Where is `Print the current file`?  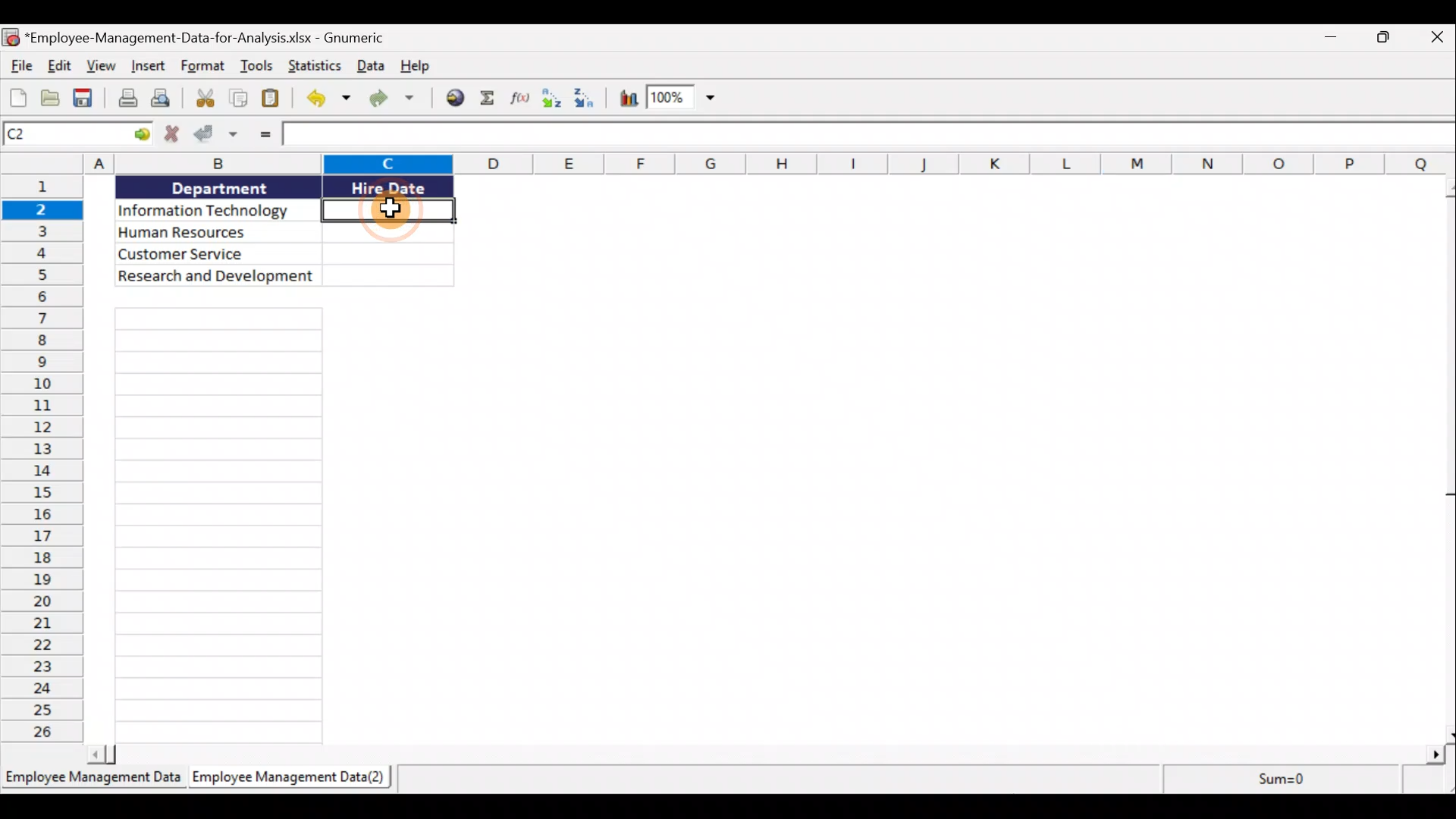
Print the current file is located at coordinates (124, 99).